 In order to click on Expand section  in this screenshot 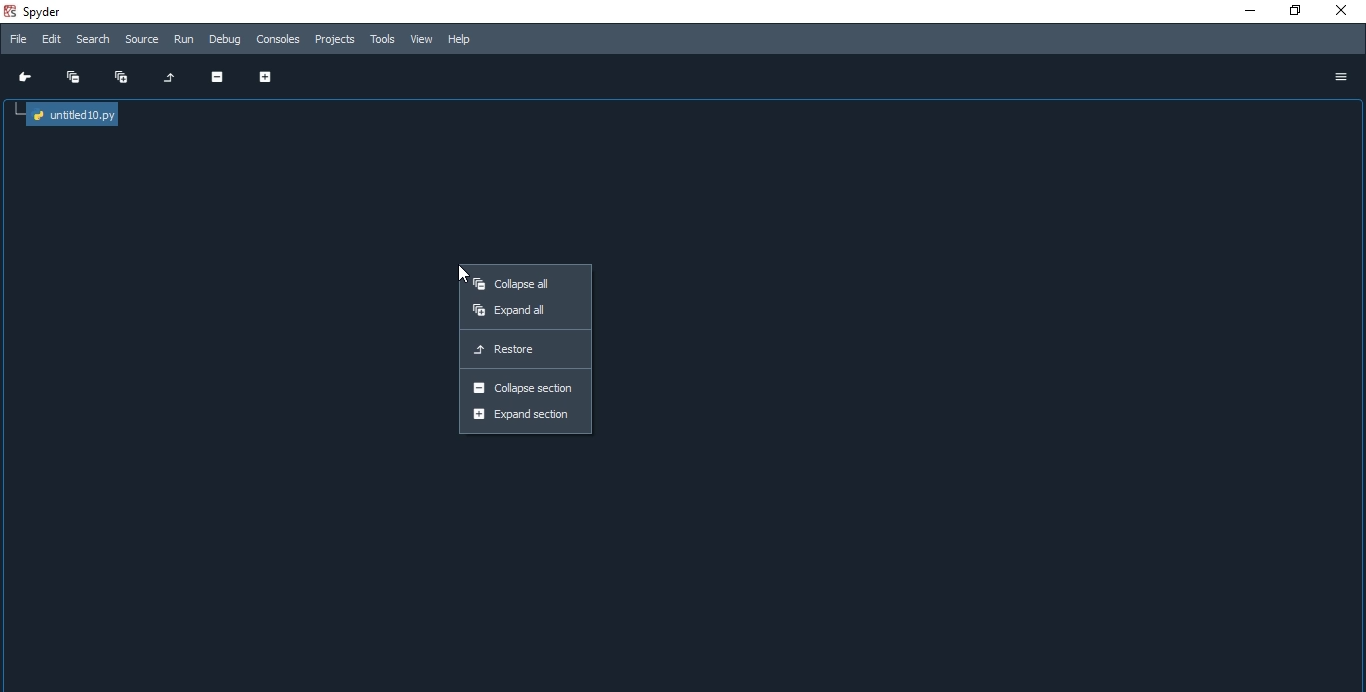, I will do `click(264, 80)`.